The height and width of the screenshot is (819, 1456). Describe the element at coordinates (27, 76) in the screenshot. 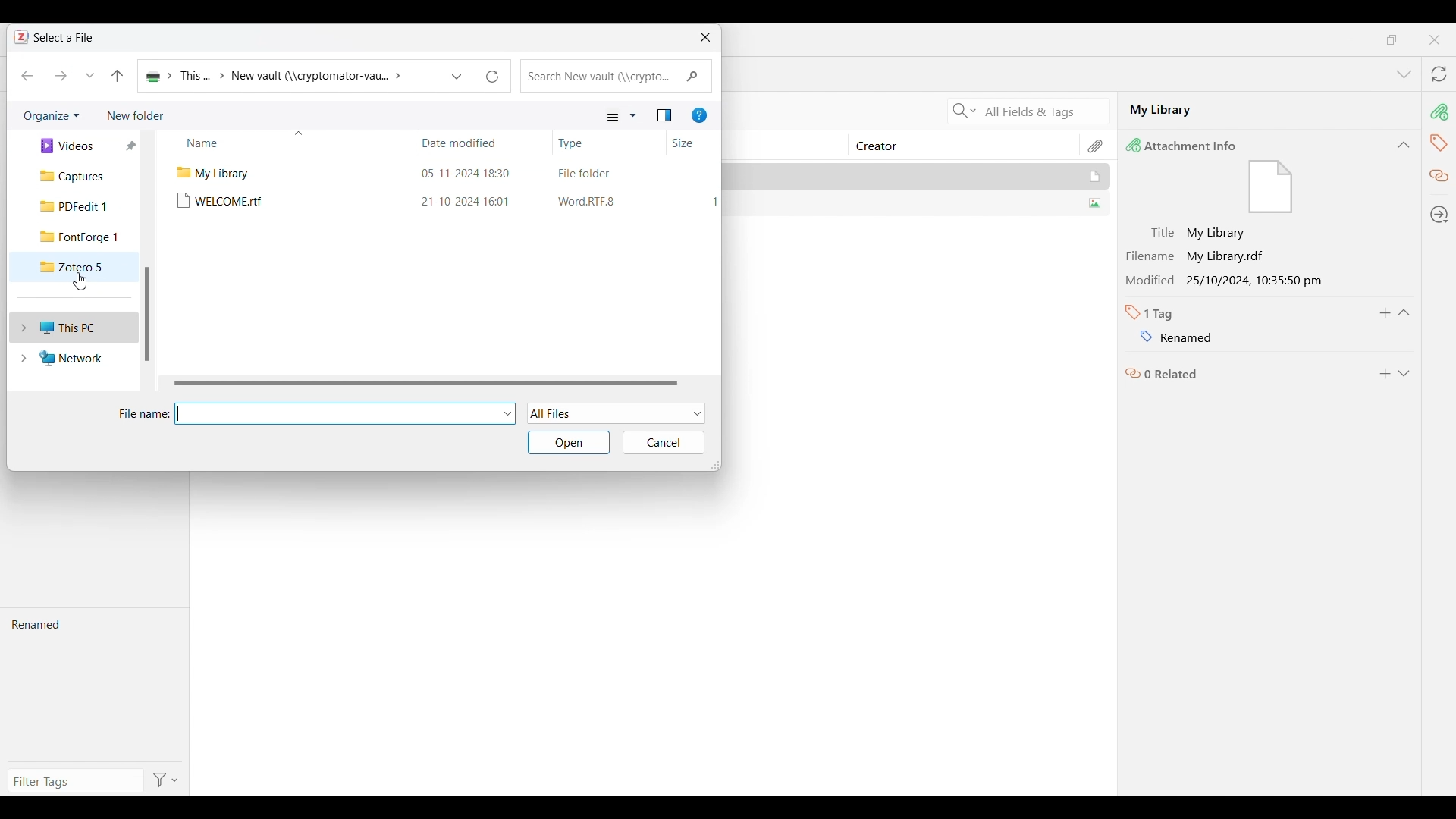

I see `Move back` at that location.